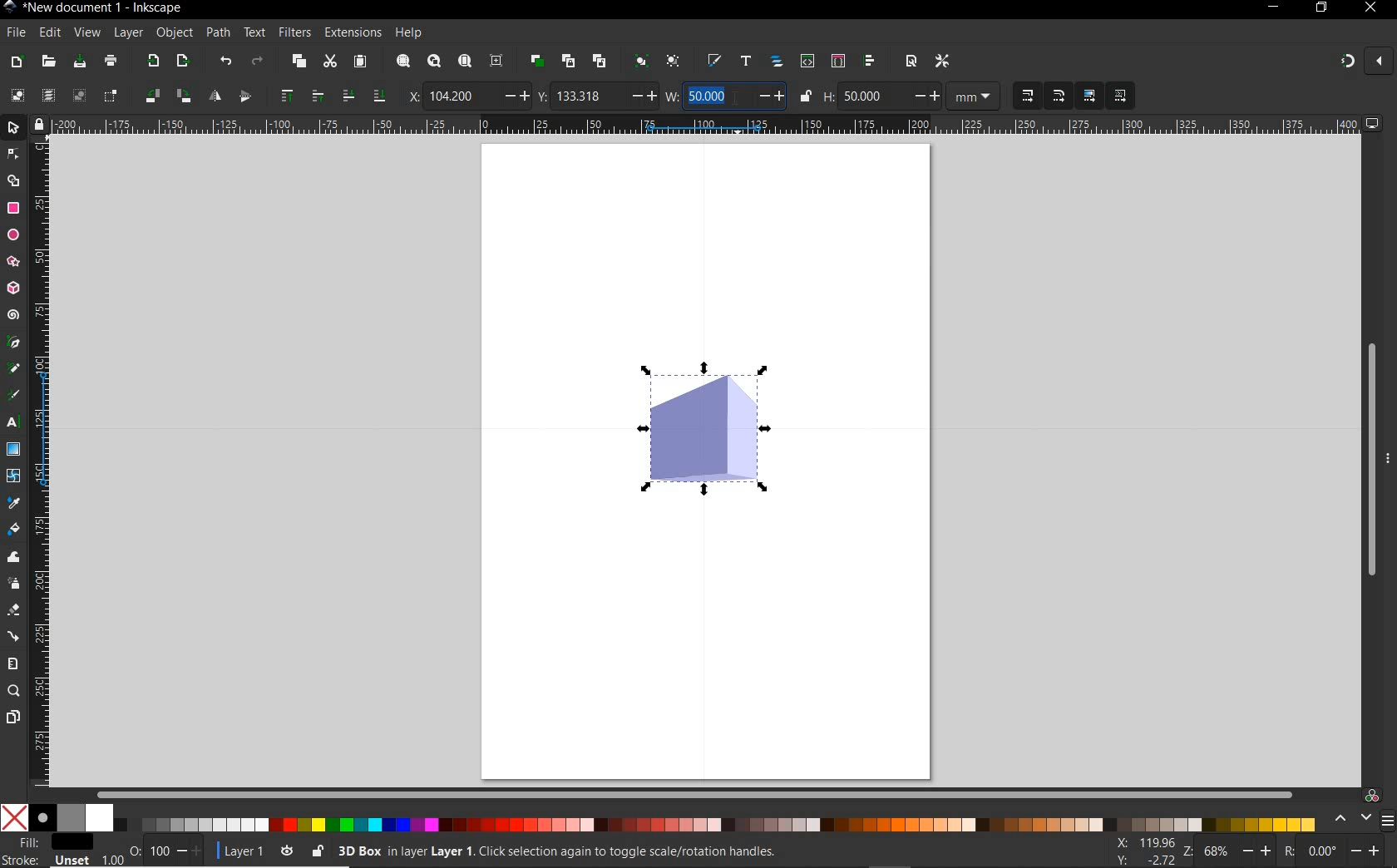 The height and width of the screenshot is (868, 1397). What do you see at coordinates (174, 33) in the screenshot?
I see `object` at bounding box center [174, 33].